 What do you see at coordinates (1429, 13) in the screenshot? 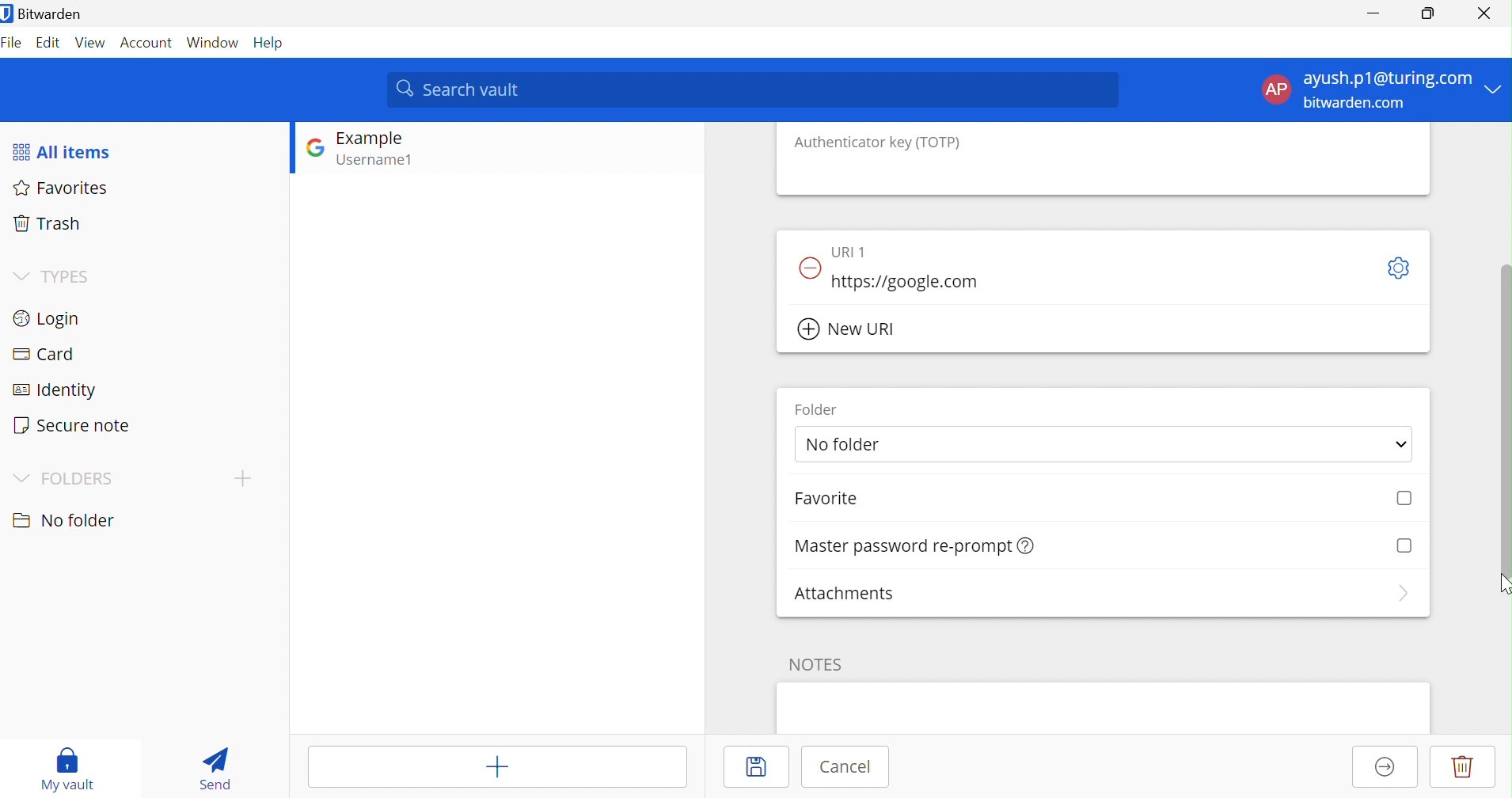
I see `Restore Down` at bounding box center [1429, 13].